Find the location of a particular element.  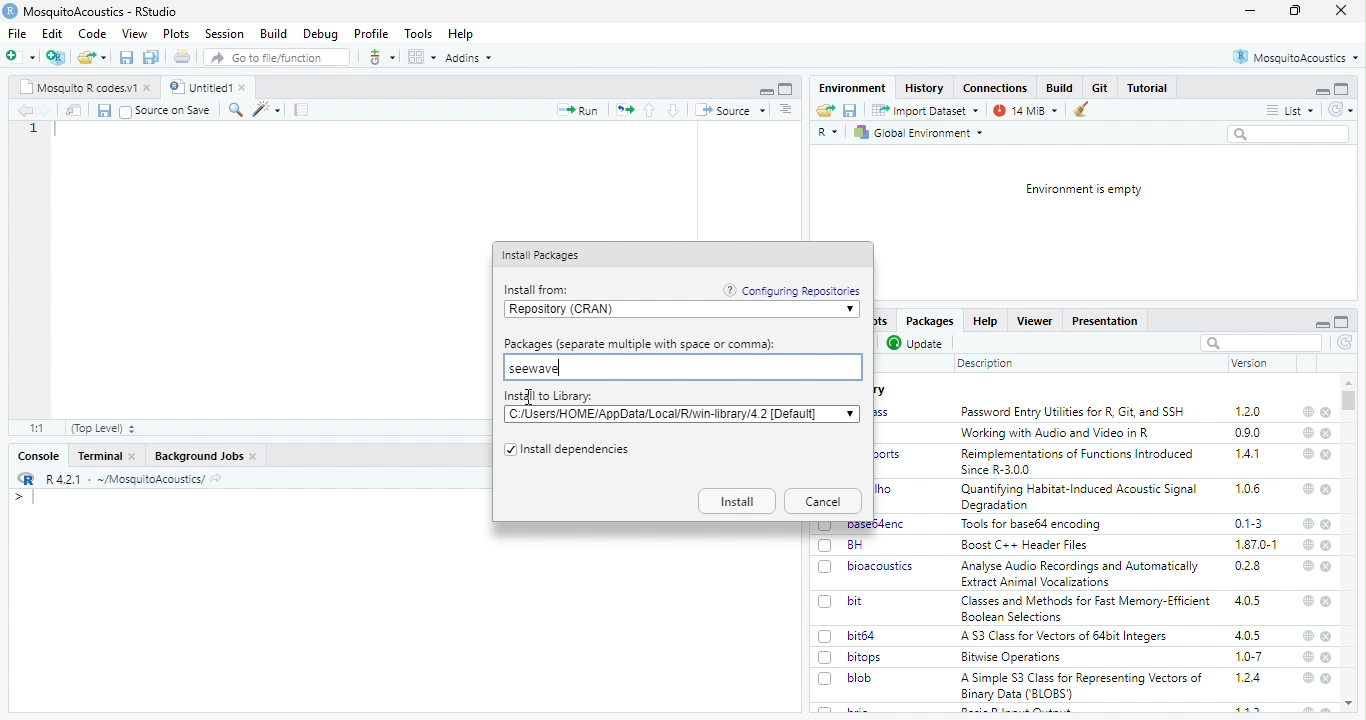

sync is located at coordinates (1346, 343).